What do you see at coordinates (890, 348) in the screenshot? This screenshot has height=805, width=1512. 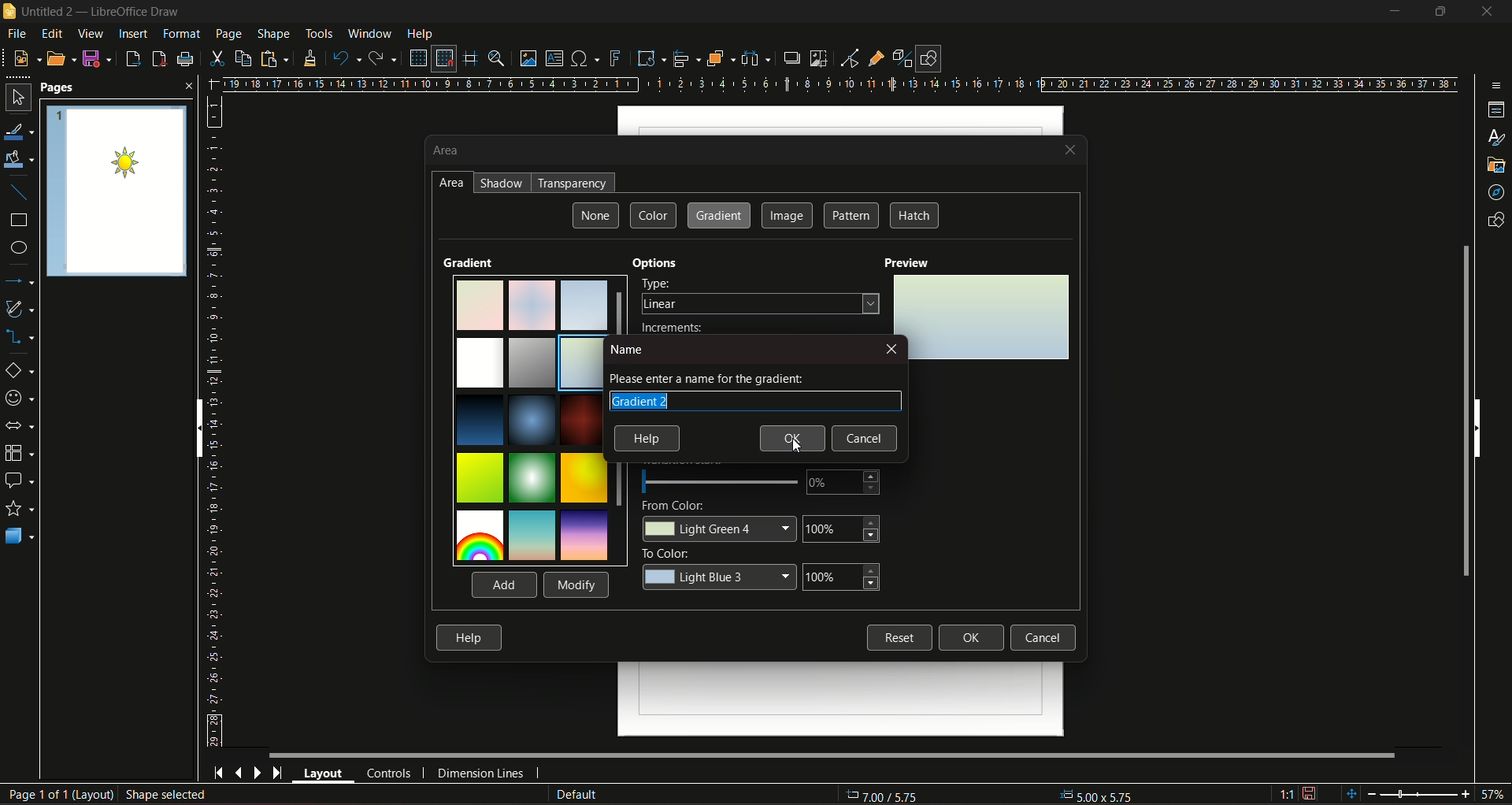 I see `close` at bounding box center [890, 348].